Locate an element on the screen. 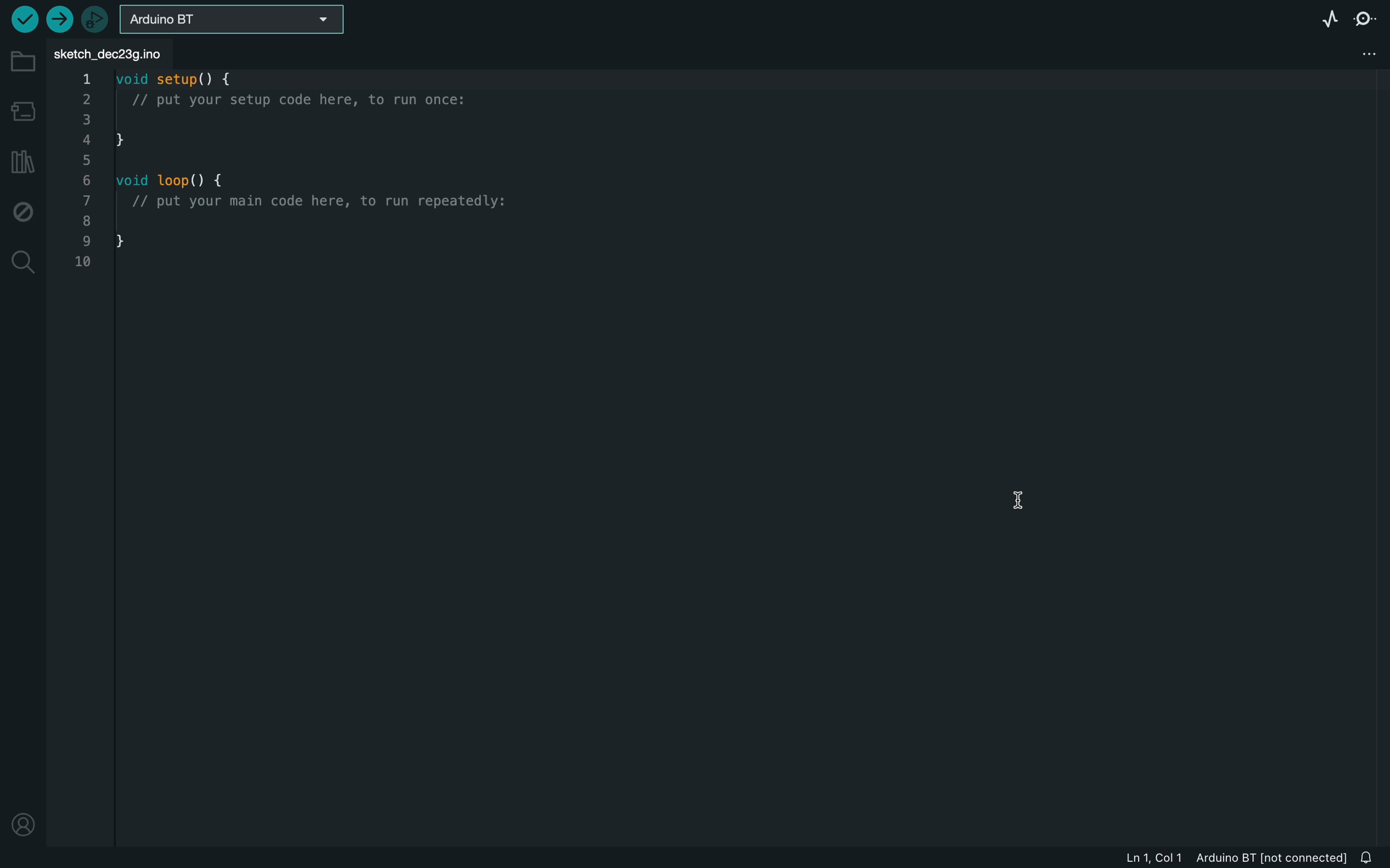 The width and height of the screenshot is (1390, 868). search is located at coordinates (22, 263).